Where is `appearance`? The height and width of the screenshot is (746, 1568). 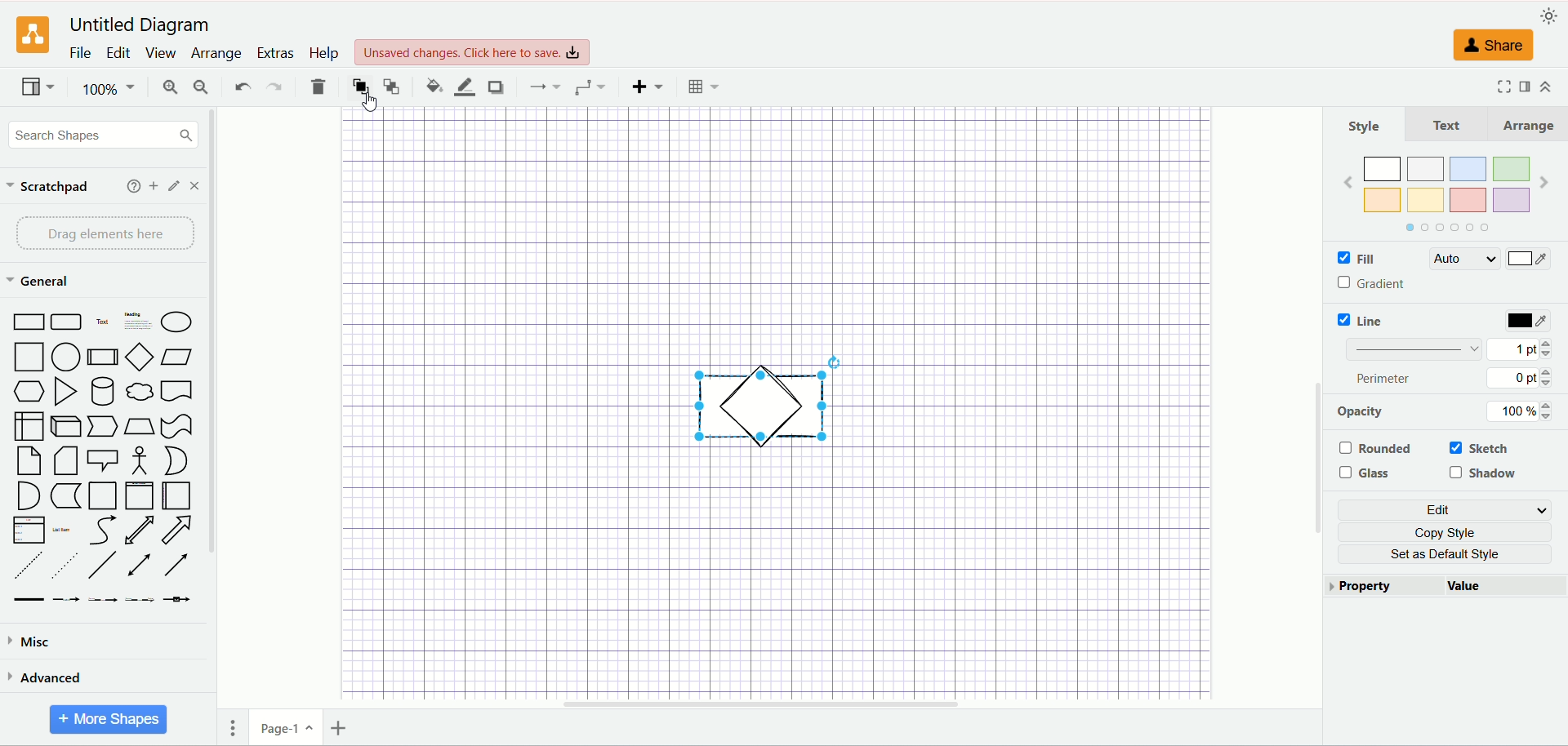
appearance is located at coordinates (1549, 16).